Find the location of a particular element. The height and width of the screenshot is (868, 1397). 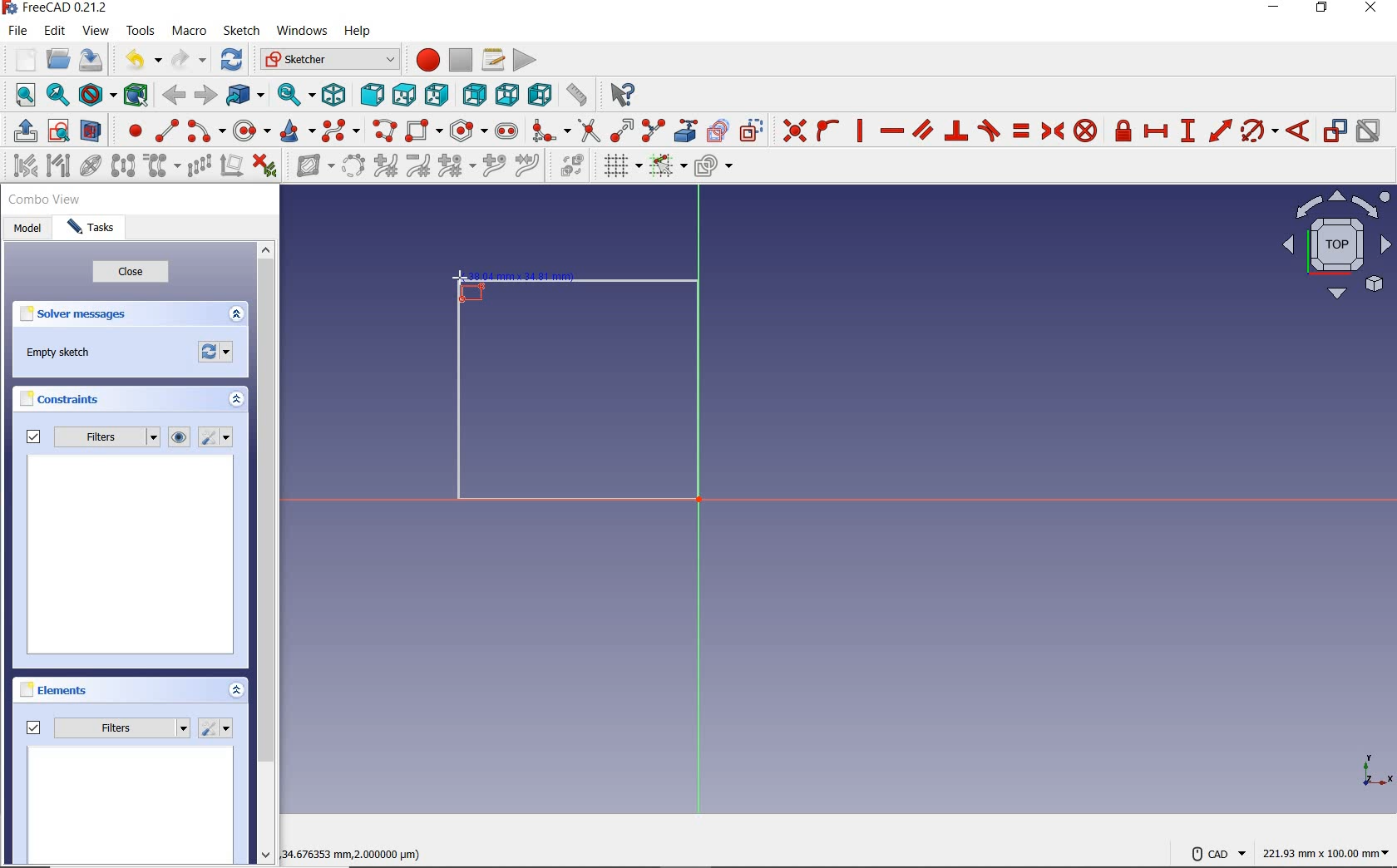

view sketch is located at coordinates (59, 132).